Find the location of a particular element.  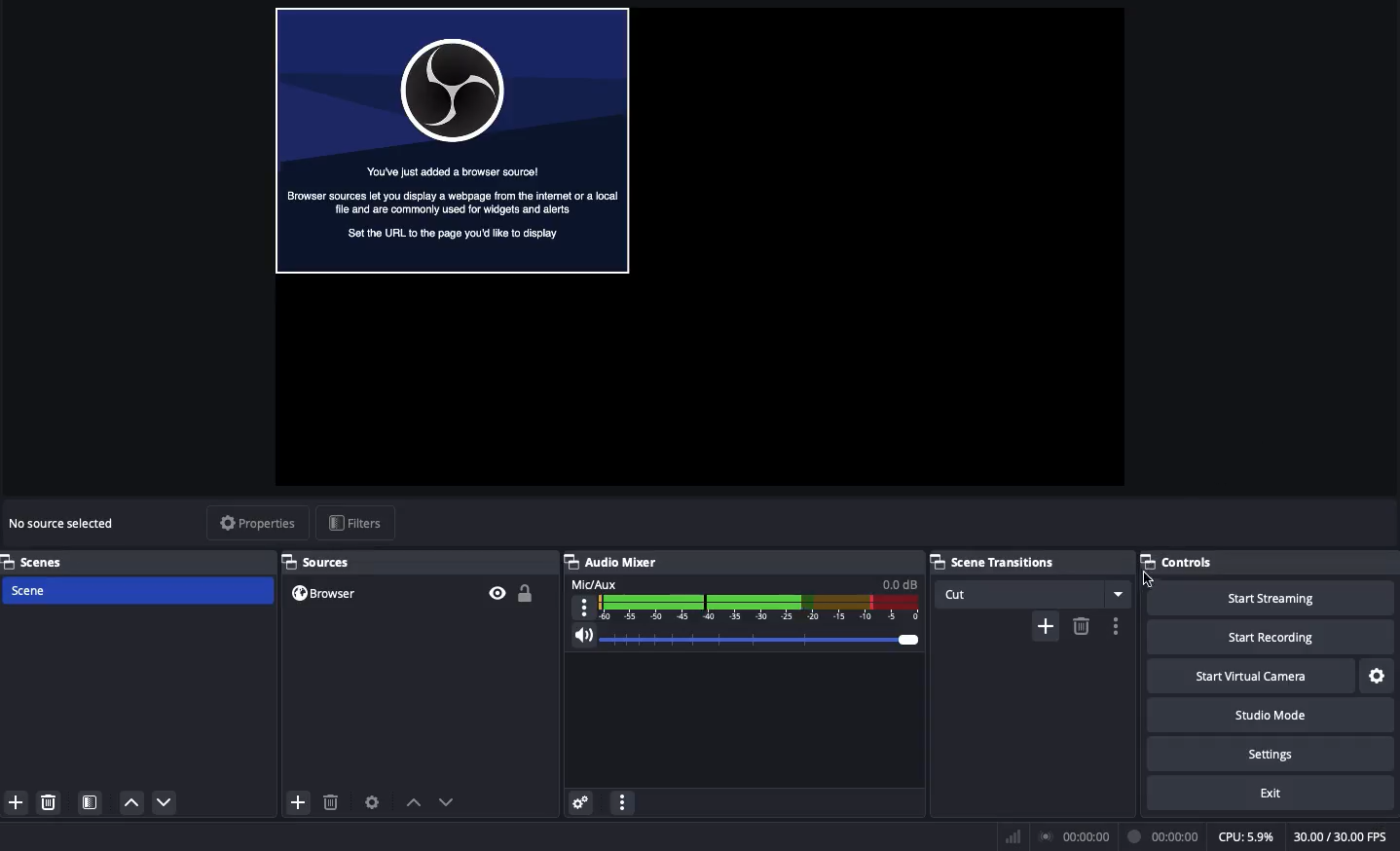

Mic aux is located at coordinates (747, 600).